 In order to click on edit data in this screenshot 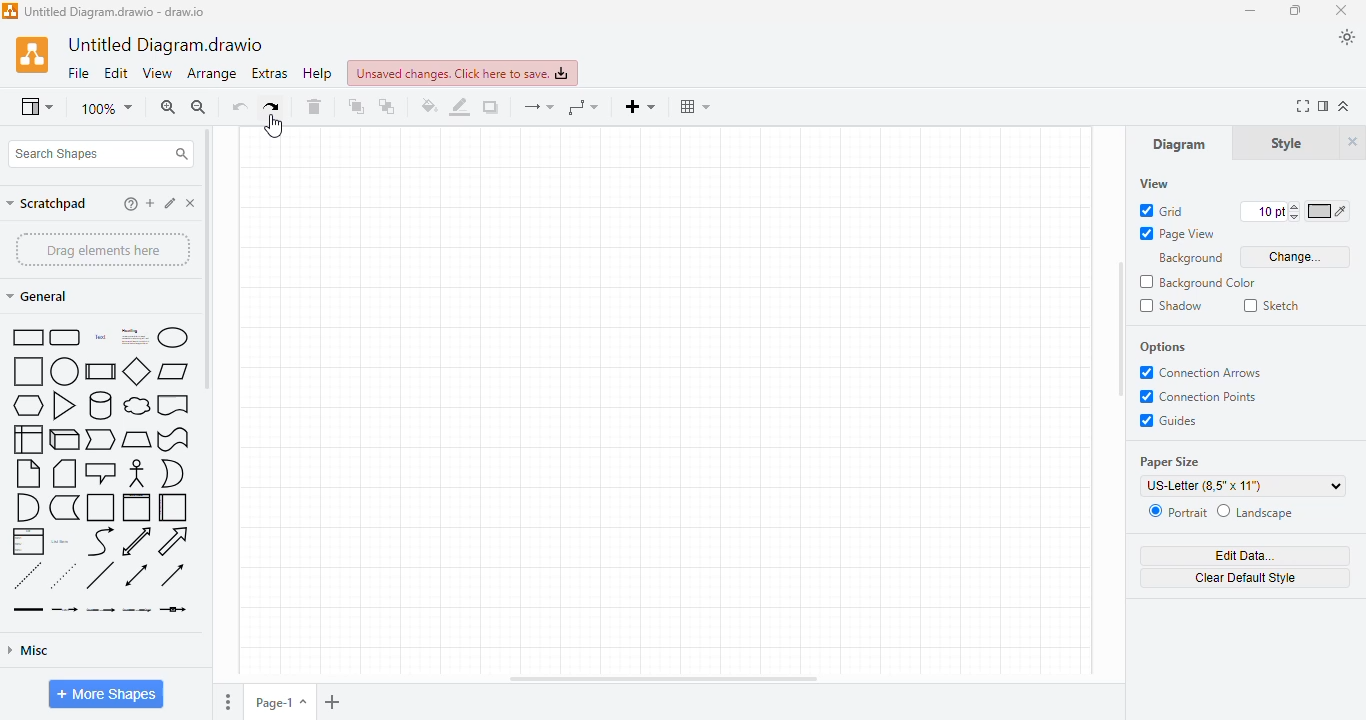, I will do `click(1246, 555)`.